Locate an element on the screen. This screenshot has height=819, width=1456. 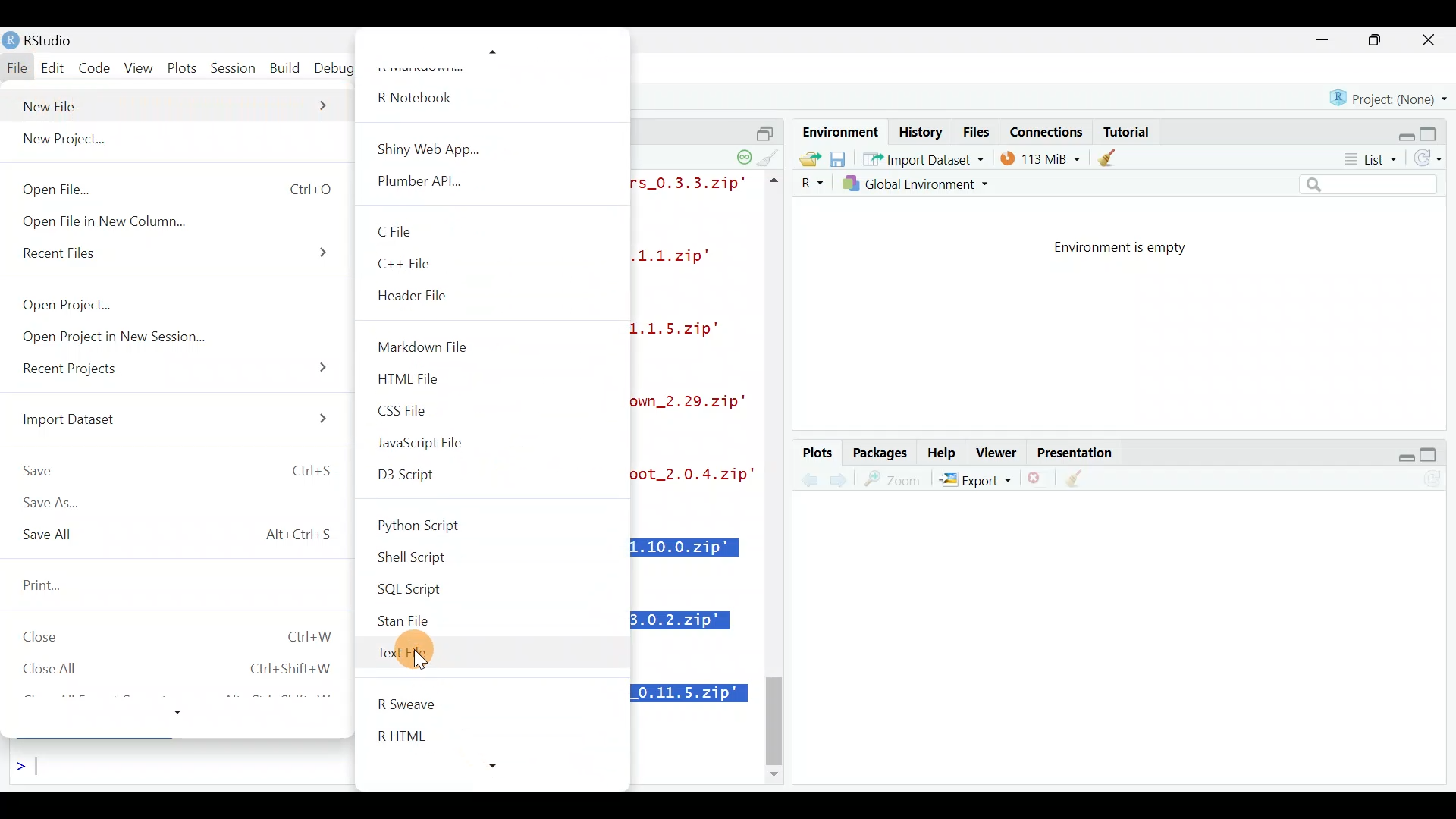
Packages is located at coordinates (879, 452).